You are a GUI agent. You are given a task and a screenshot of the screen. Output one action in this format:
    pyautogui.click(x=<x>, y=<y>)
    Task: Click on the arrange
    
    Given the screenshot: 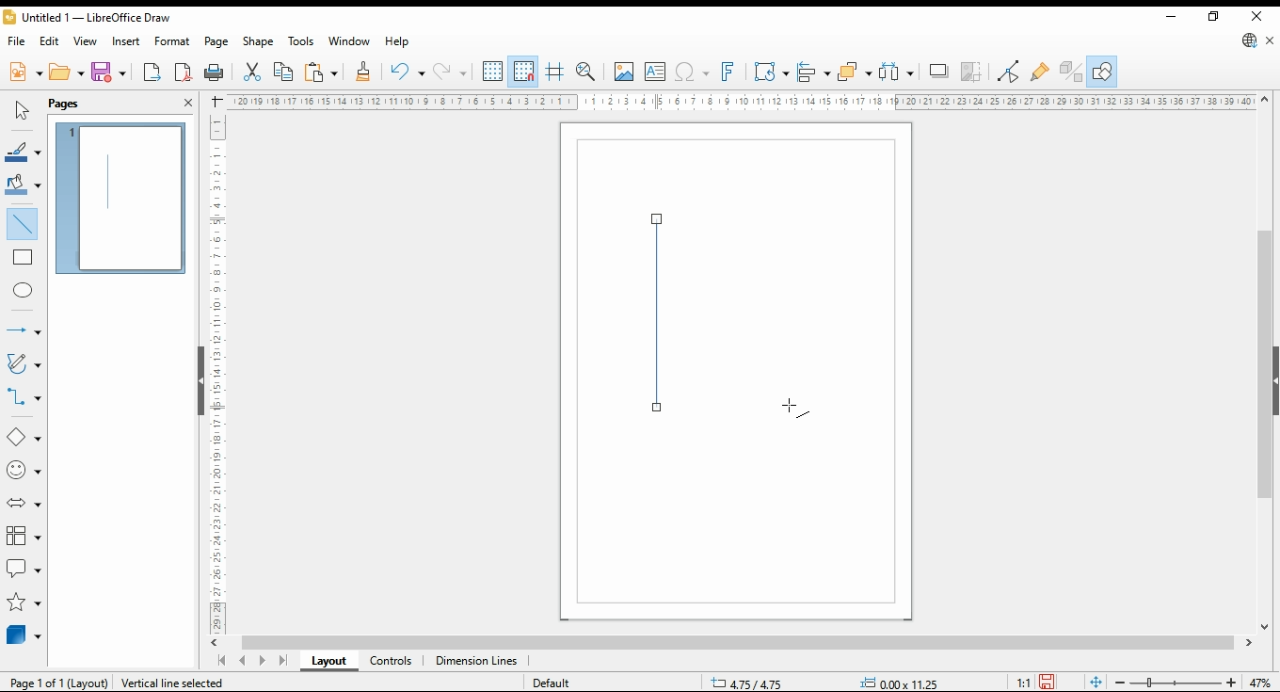 What is the action you would take?
    pyautogui.click(x=854, y=71)
    